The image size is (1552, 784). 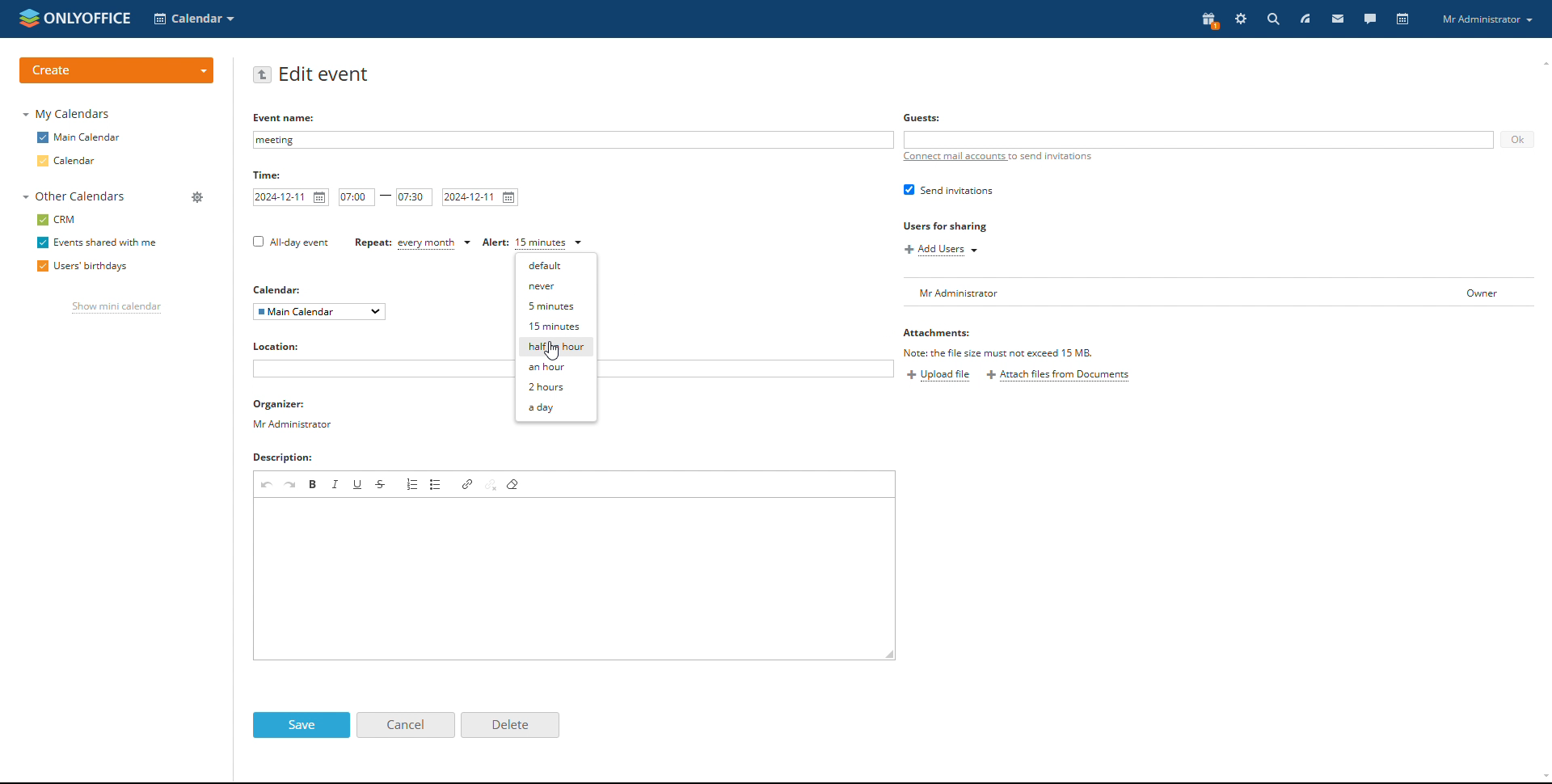 I want to click on undo, so click(x=266, y=483).